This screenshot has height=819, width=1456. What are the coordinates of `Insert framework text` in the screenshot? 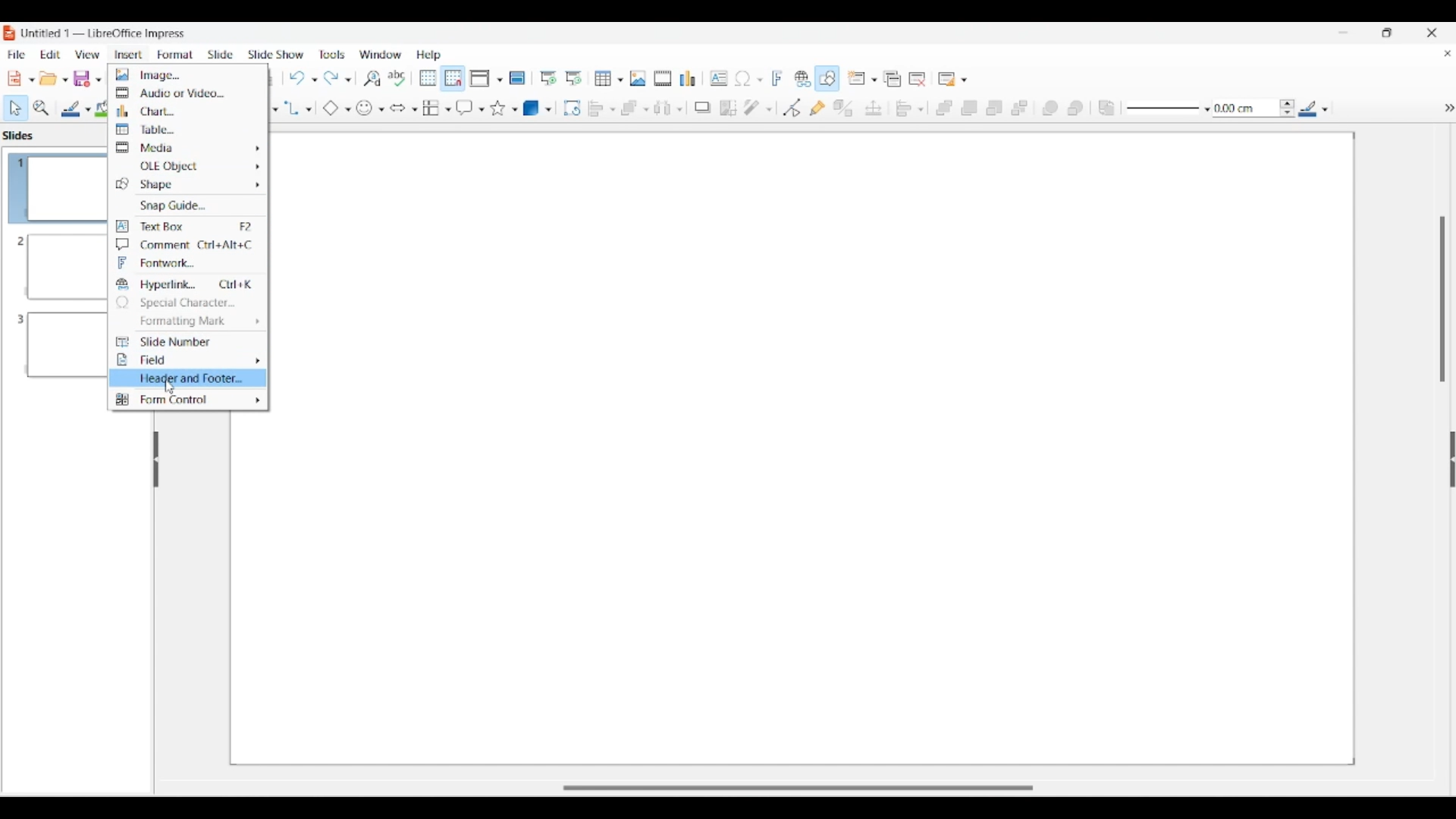 It's located at (777, 78).